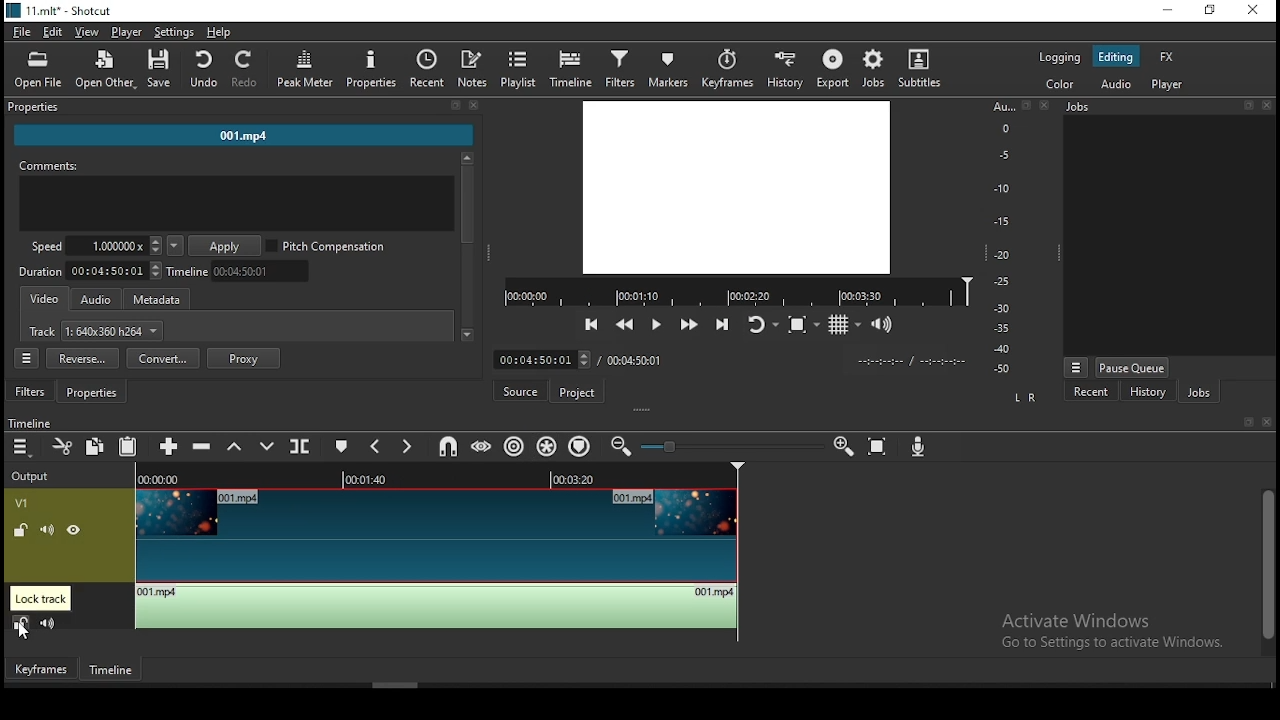  What do you see at coordinates (95, 300) in the screenshot?
I see `audio` at bounding box center [95, 300].